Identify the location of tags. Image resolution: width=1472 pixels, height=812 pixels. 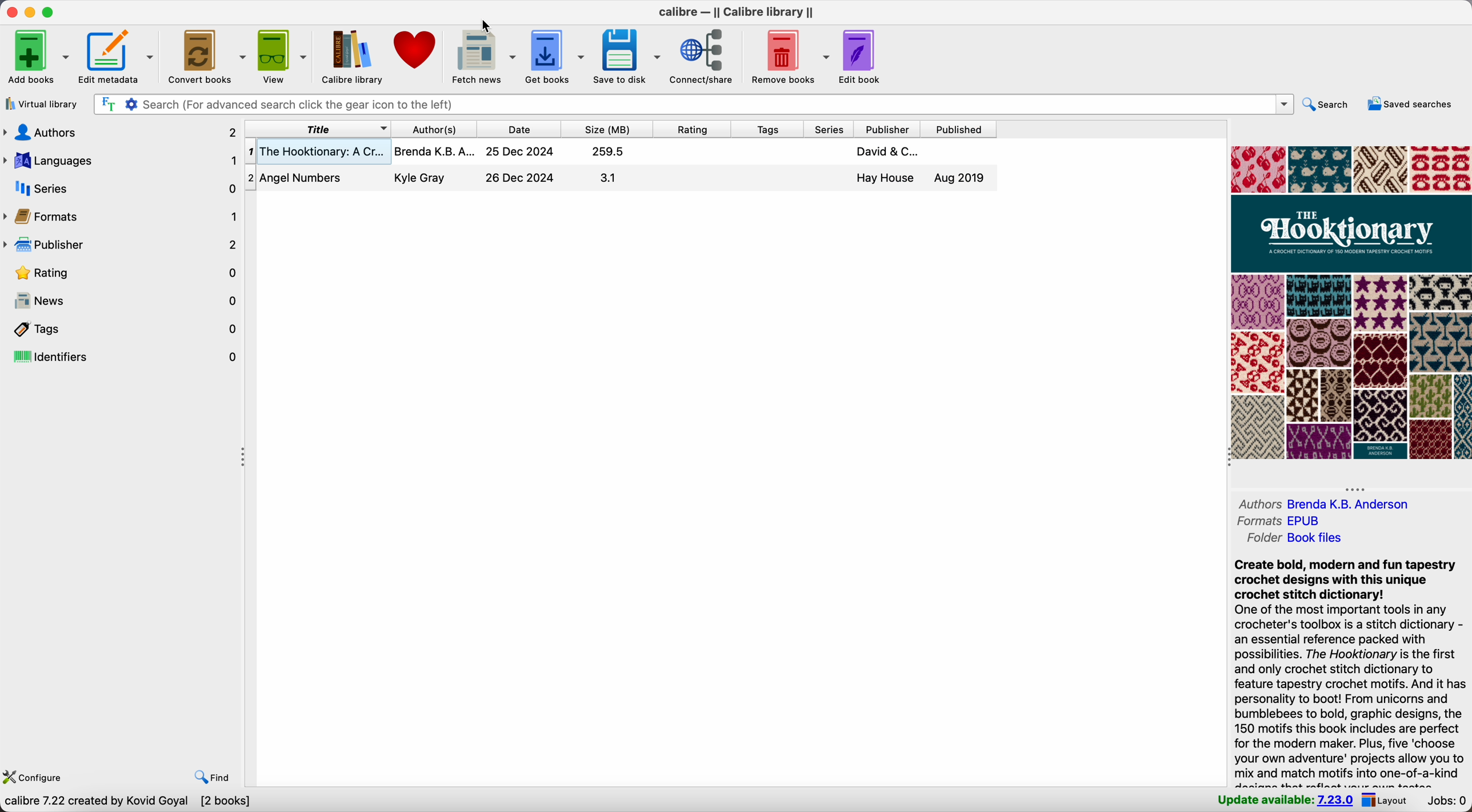
(767, 129).